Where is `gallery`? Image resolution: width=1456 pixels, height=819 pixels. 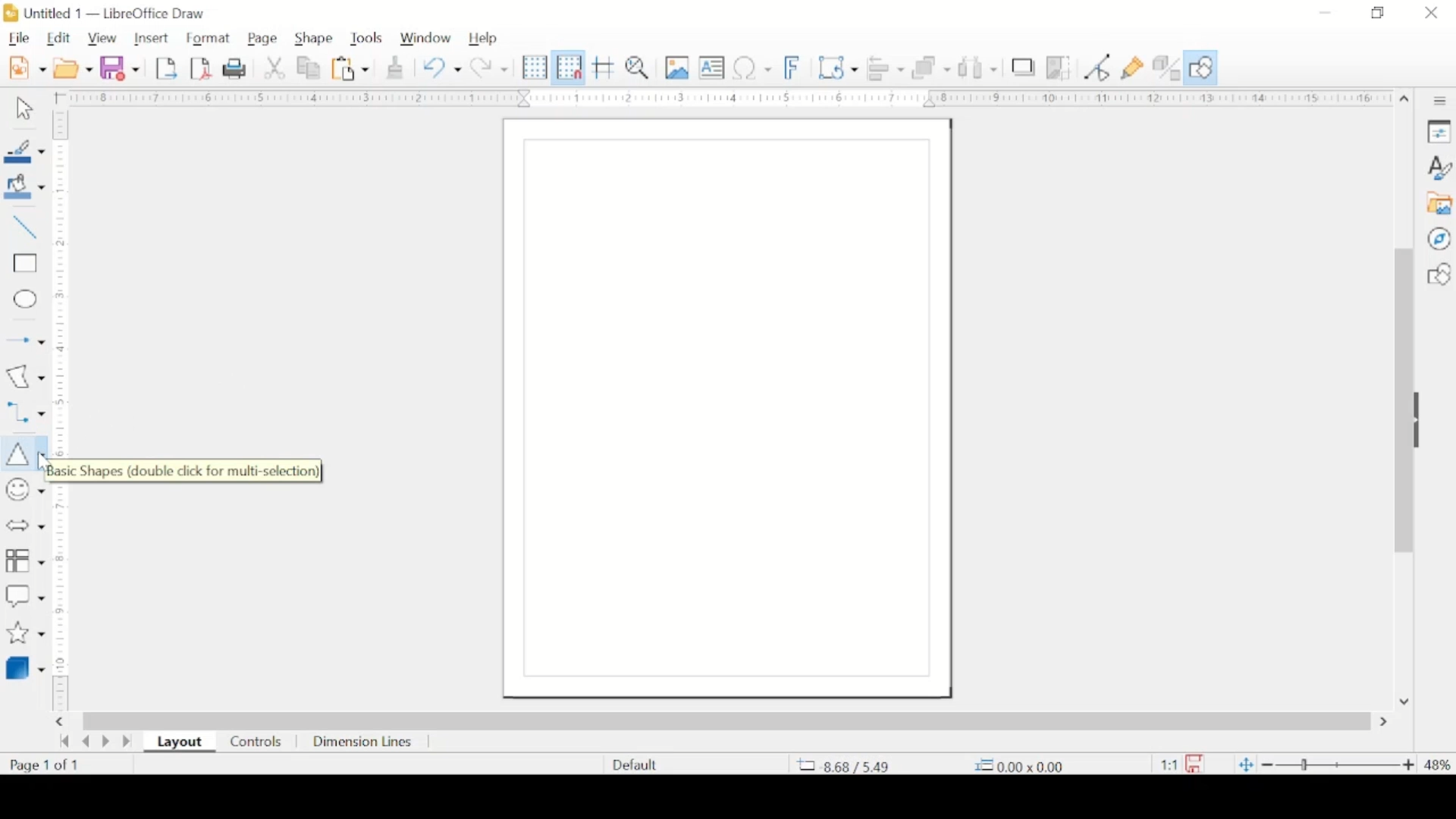 gallery is located at coordinates (1441, 204).